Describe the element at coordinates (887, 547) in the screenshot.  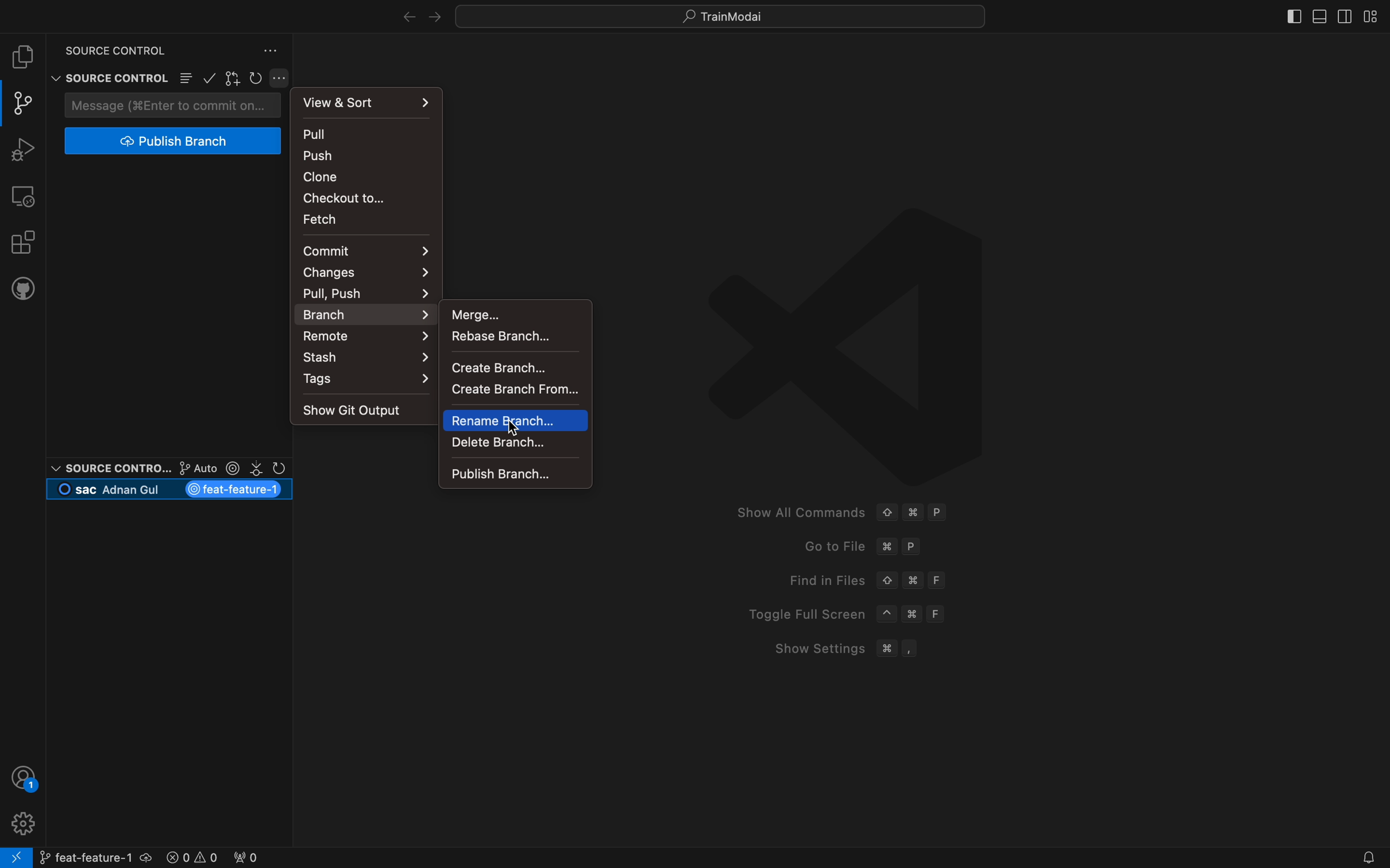
I see `command` at that location.